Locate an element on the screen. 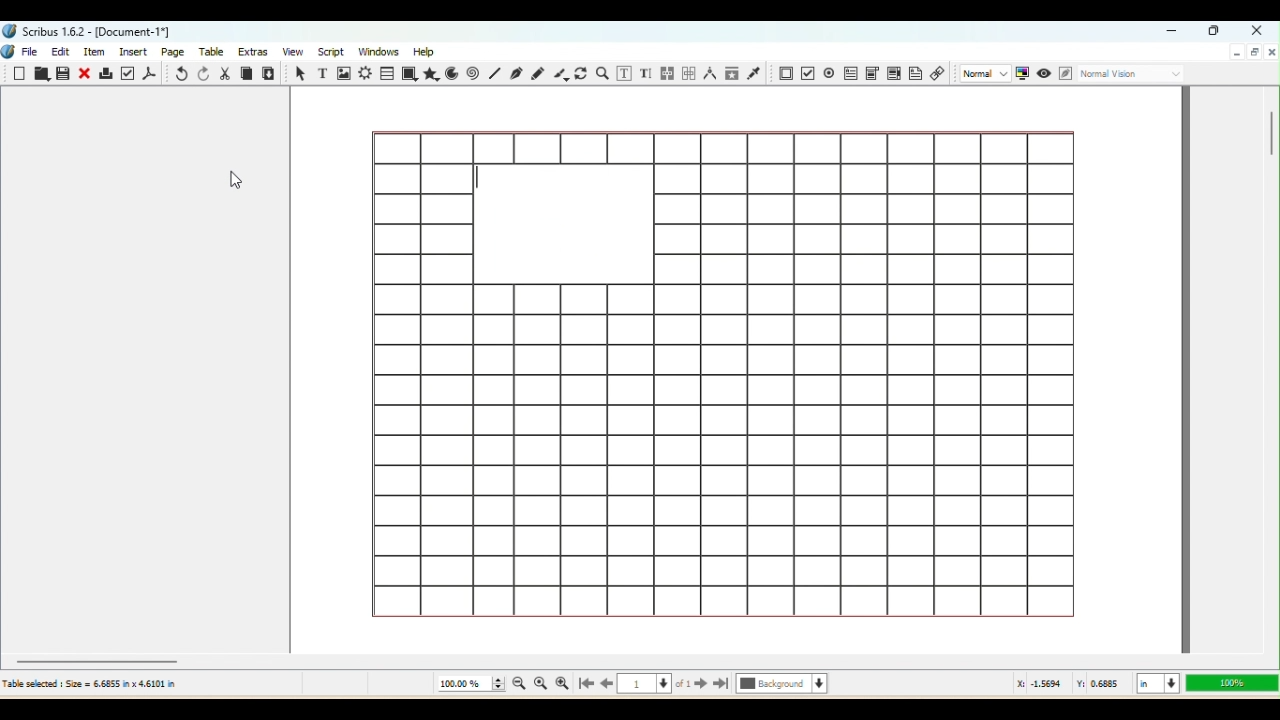 This screenshot has width=1280, height=720. Script is located at coordinates (330, 52).